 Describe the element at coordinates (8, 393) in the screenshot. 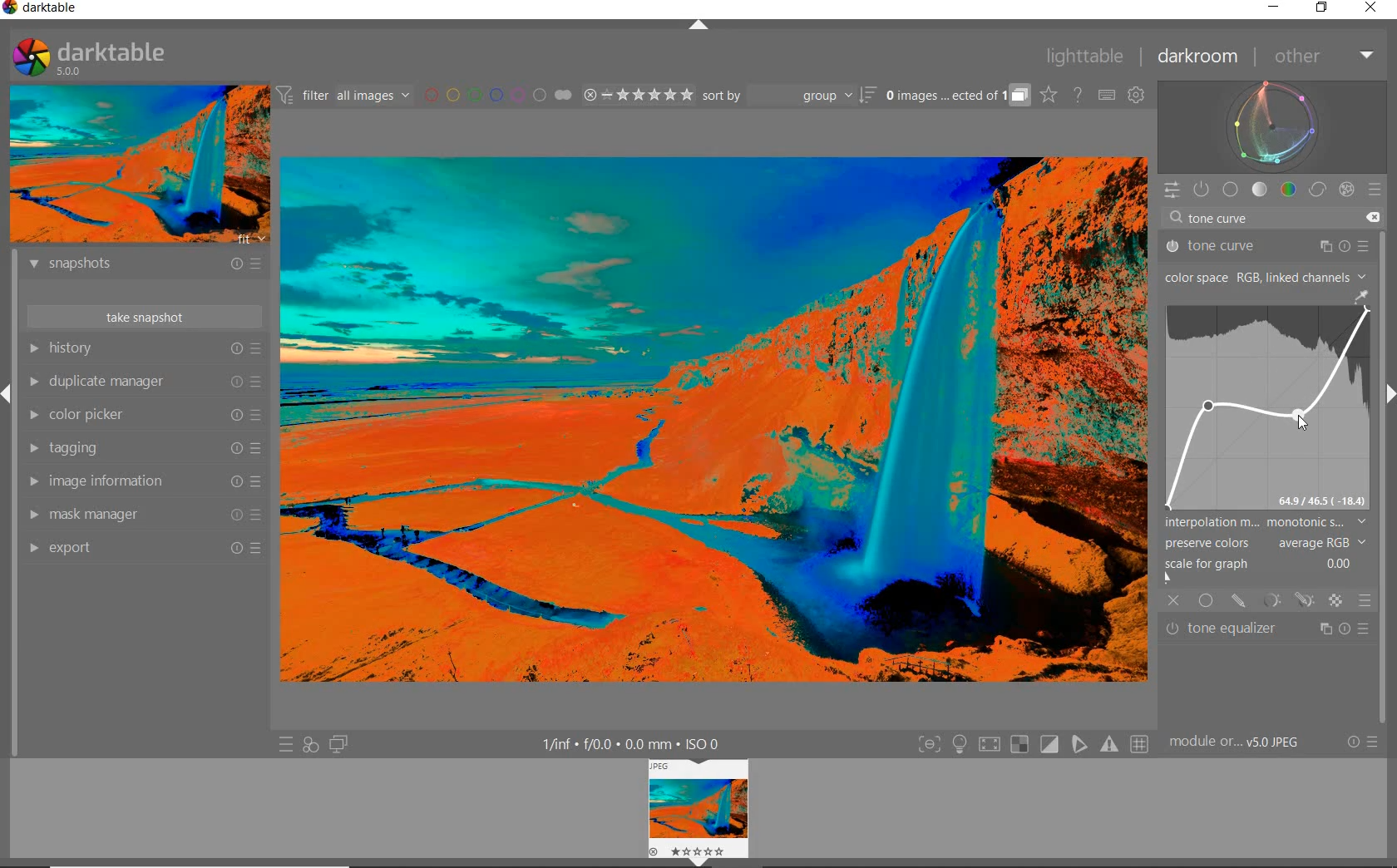

I see `Expand/Collapse` at that location.